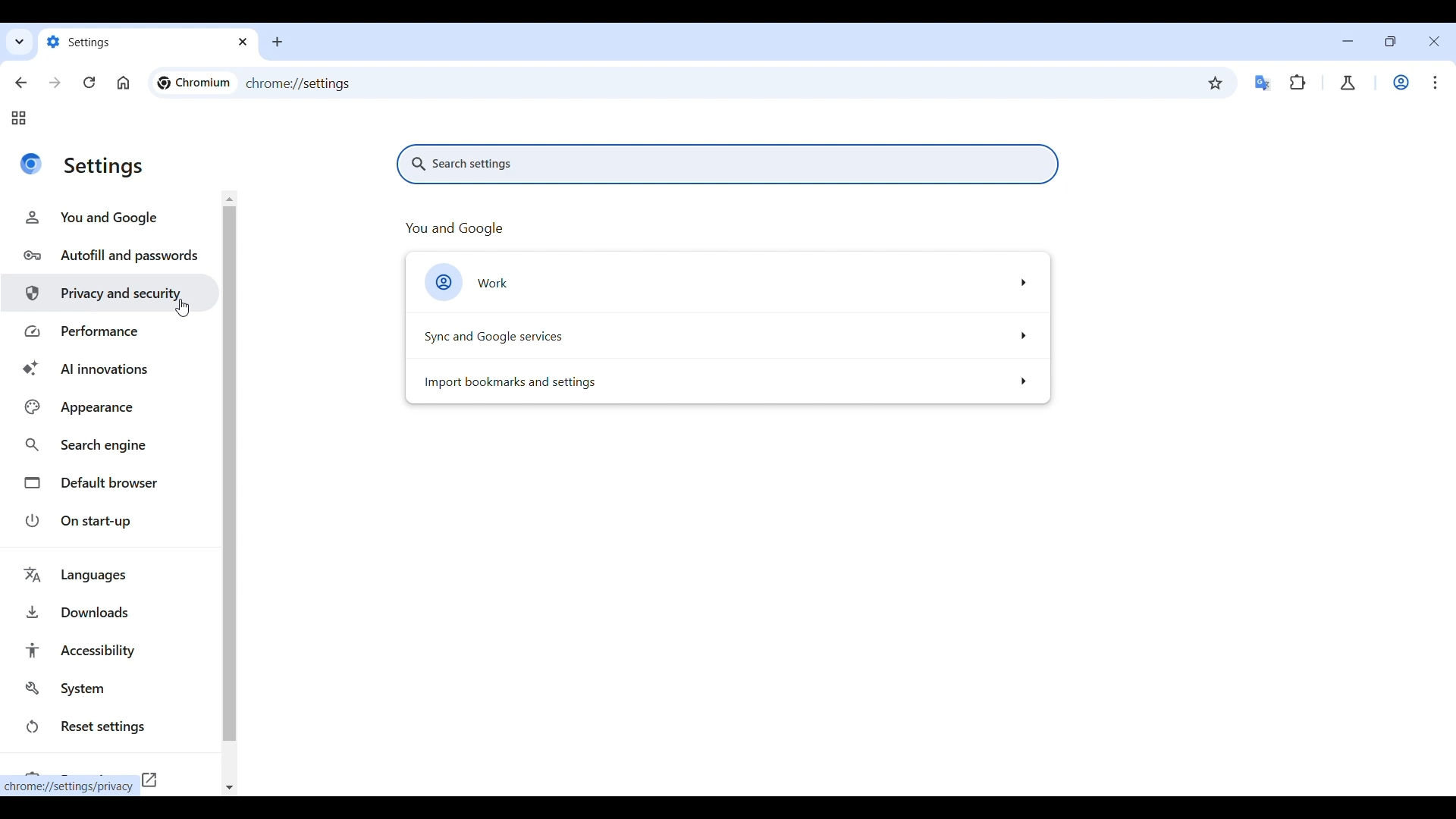  I want to click on System, so click(110, 688).